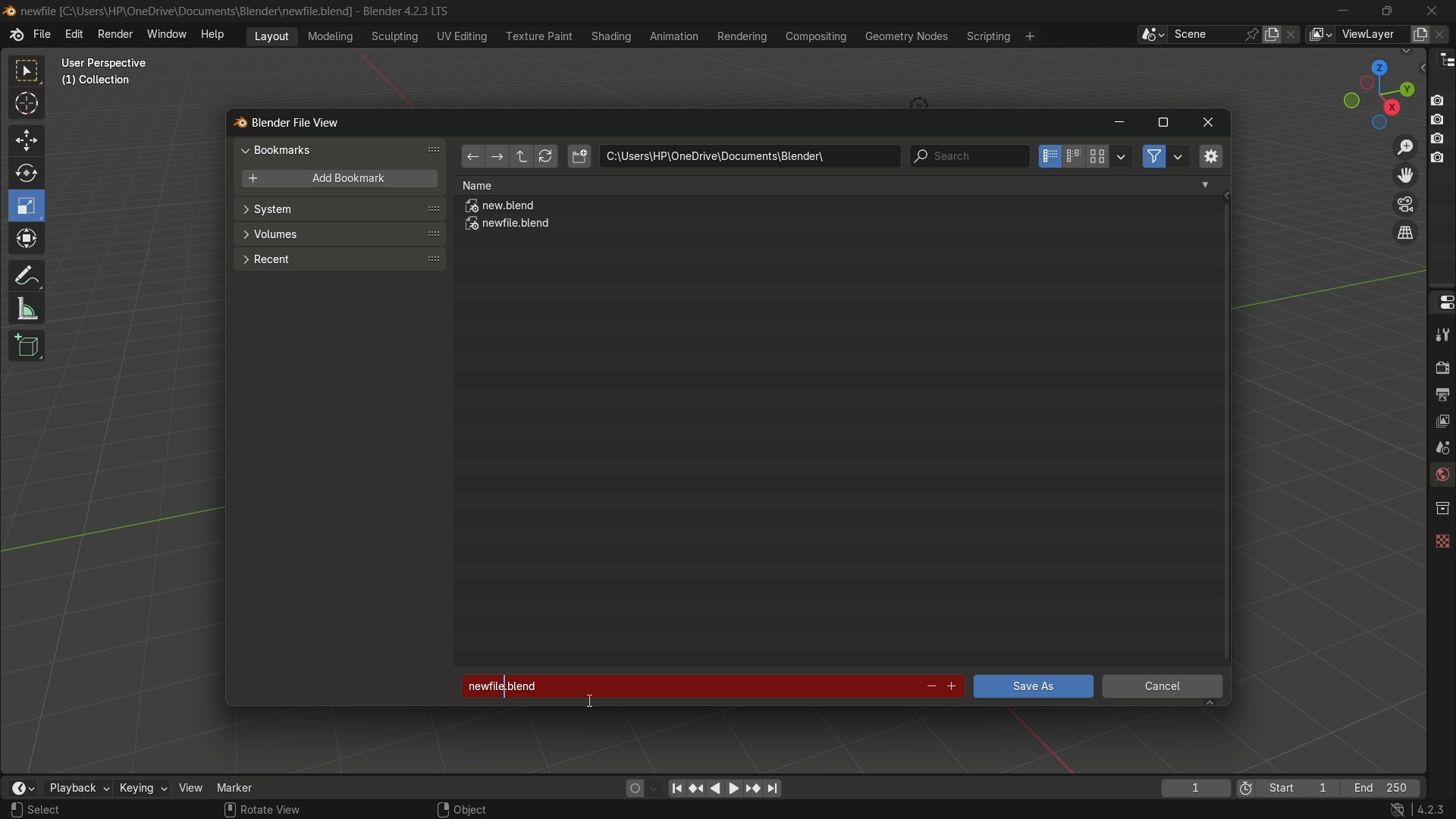 The height and width of the screenshot is (819, 1456). What do you see at coordinates (234, 124) in the screenshot?
I see `blend logo` at bounding box center [234, 124].